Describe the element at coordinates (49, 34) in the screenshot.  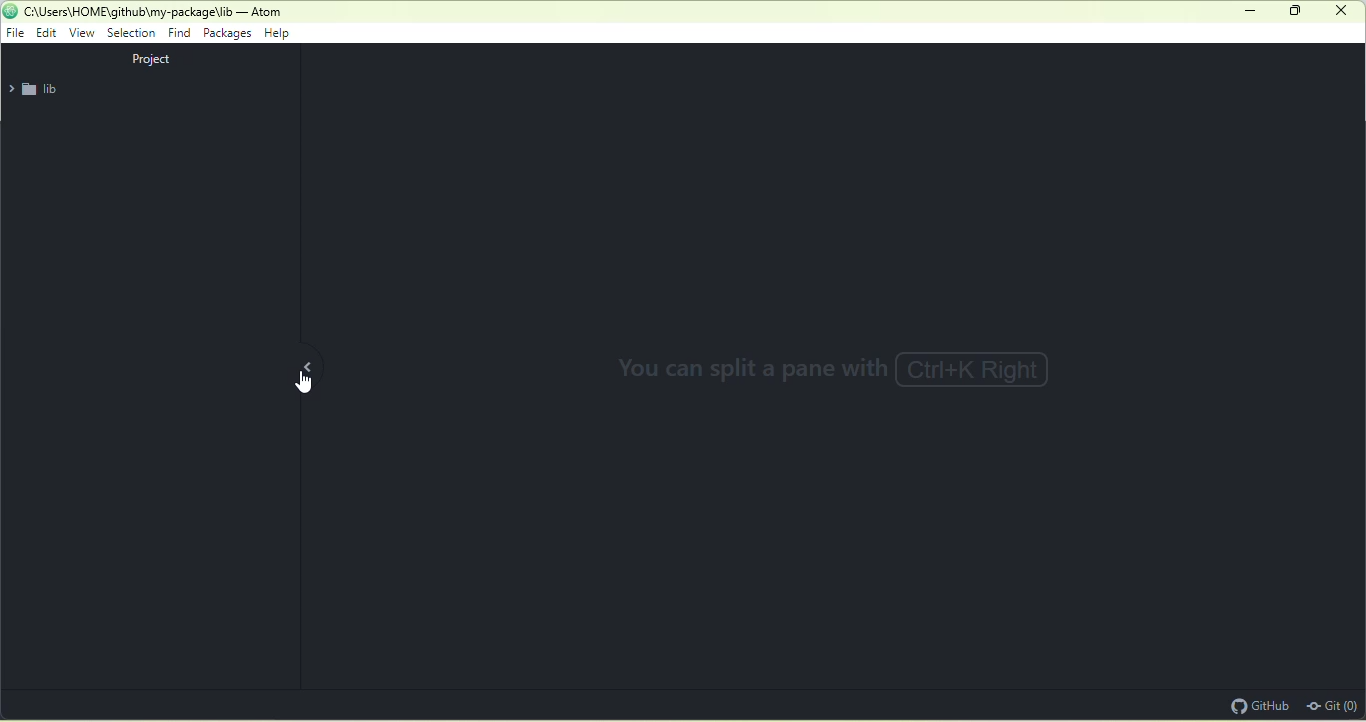
I see `edit` at that location.